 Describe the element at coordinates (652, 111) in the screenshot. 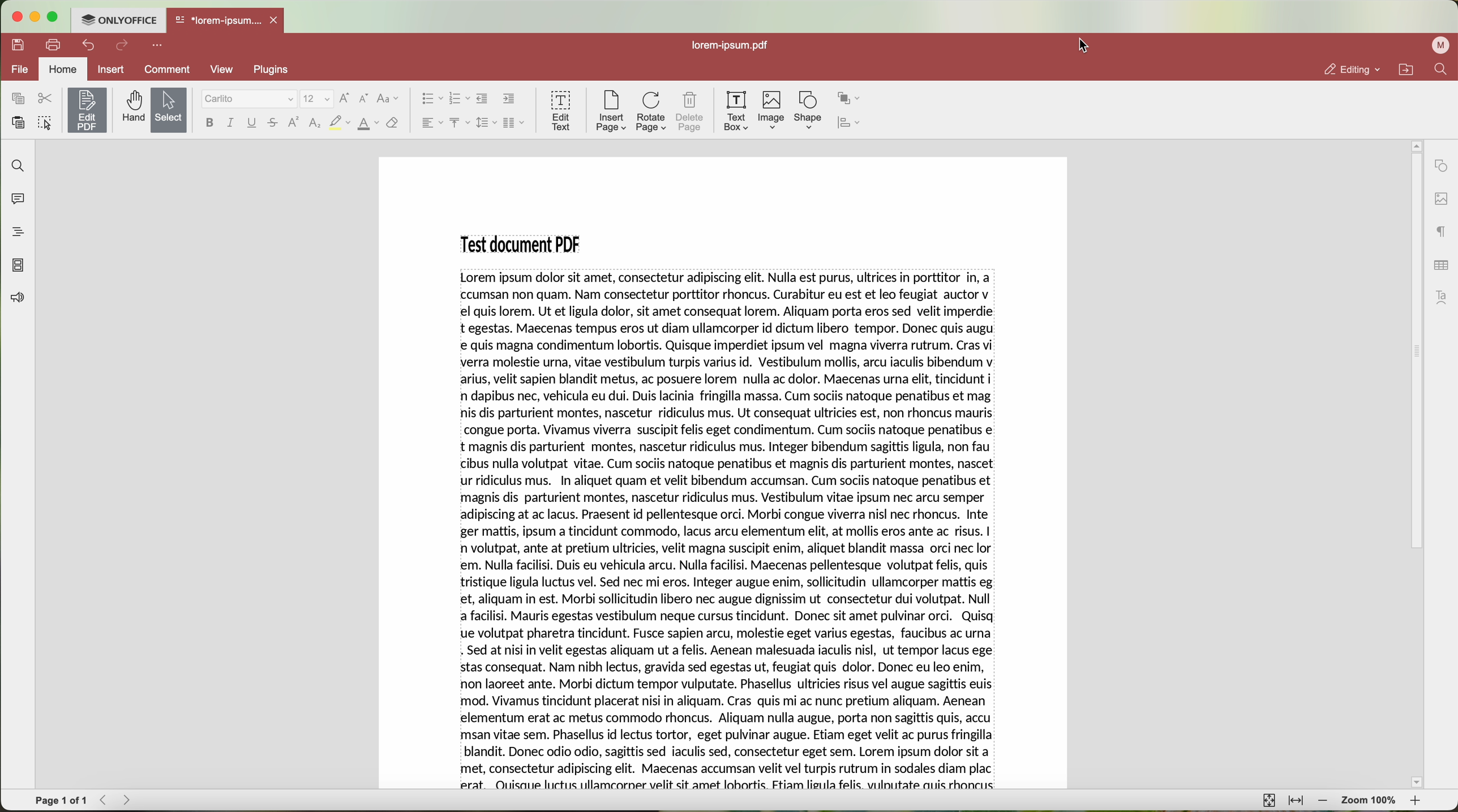

I see `rotate page` at that location.